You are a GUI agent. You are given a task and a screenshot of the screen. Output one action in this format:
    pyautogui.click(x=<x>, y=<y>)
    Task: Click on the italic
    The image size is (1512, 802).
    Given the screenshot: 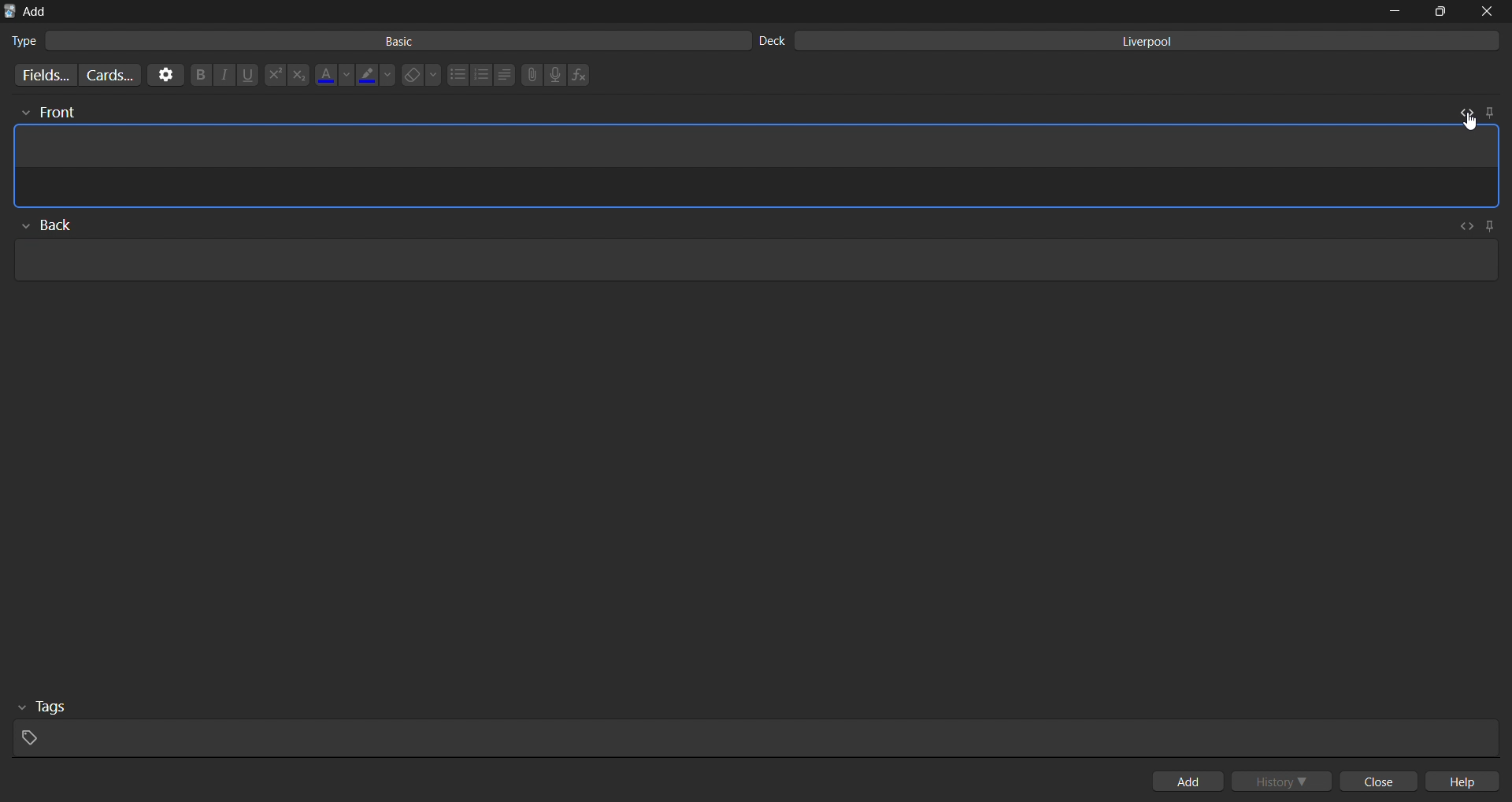 What is the action you would take?
    pyautogui.click(x=223, y=76)
    